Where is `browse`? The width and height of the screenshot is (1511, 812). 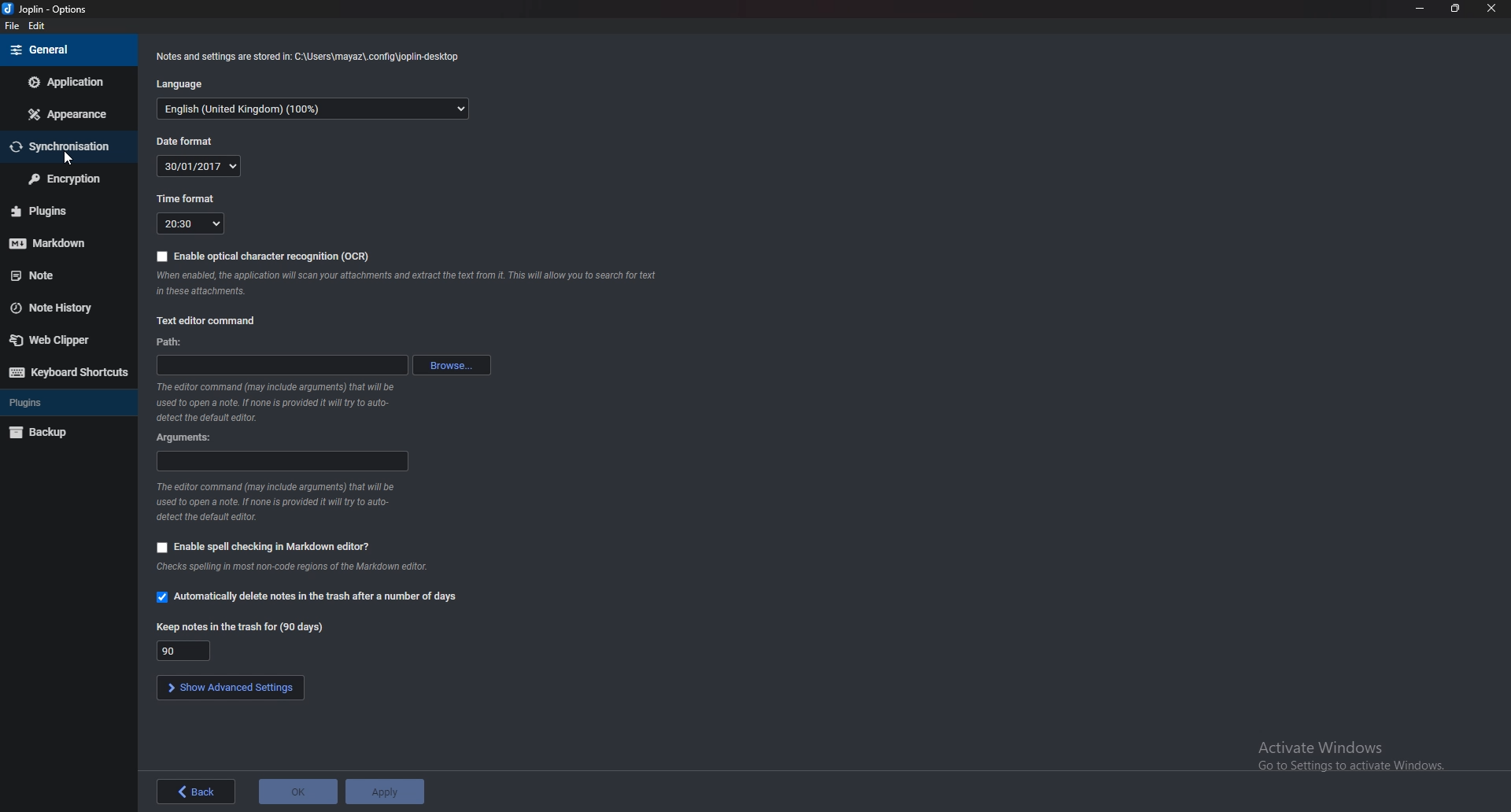
browse is located at coordinates (452, 366).